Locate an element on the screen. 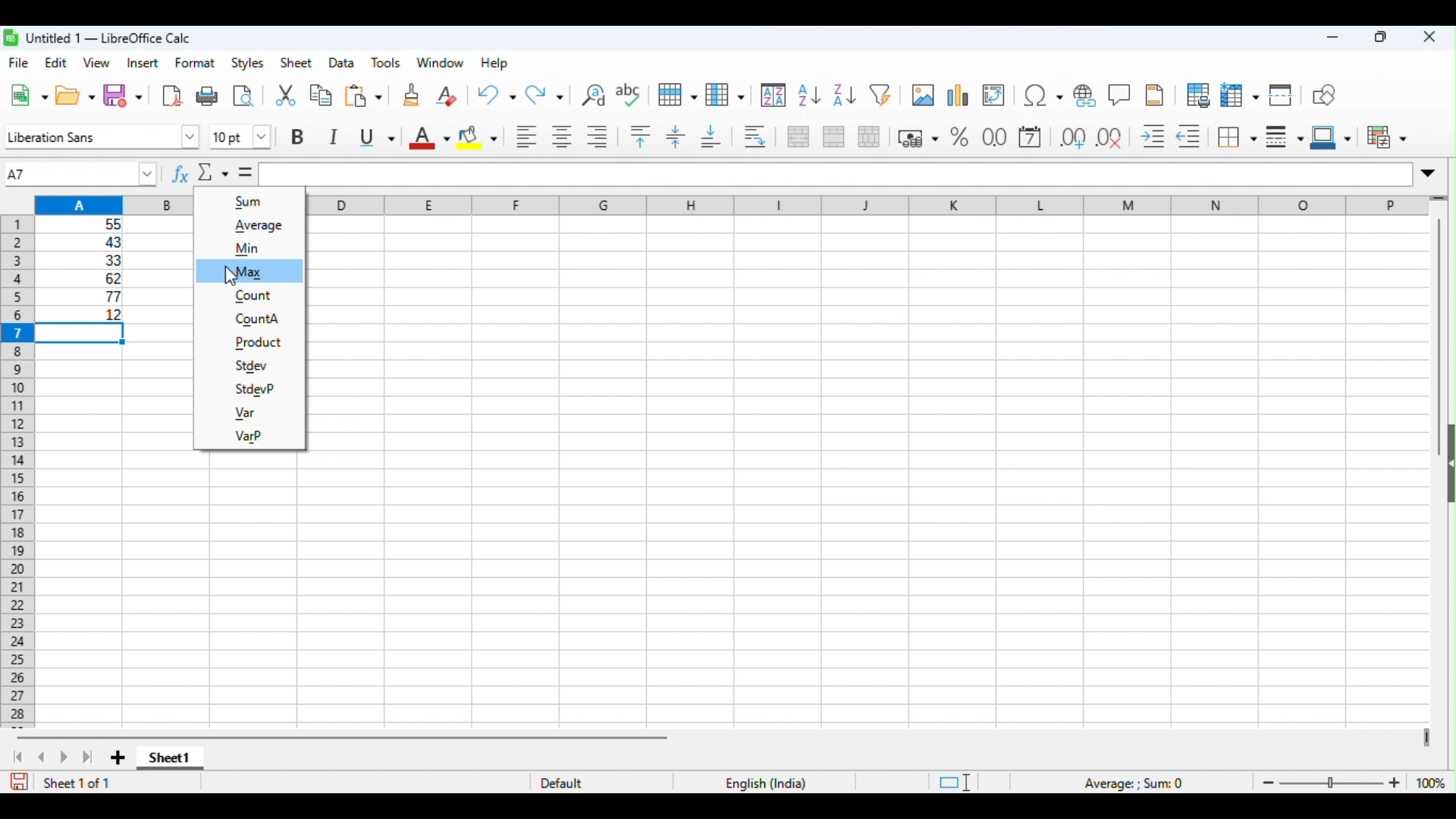 Image resolution: width=1456 pixels, height=819 pixels. style is located at coordinates (249, 63).